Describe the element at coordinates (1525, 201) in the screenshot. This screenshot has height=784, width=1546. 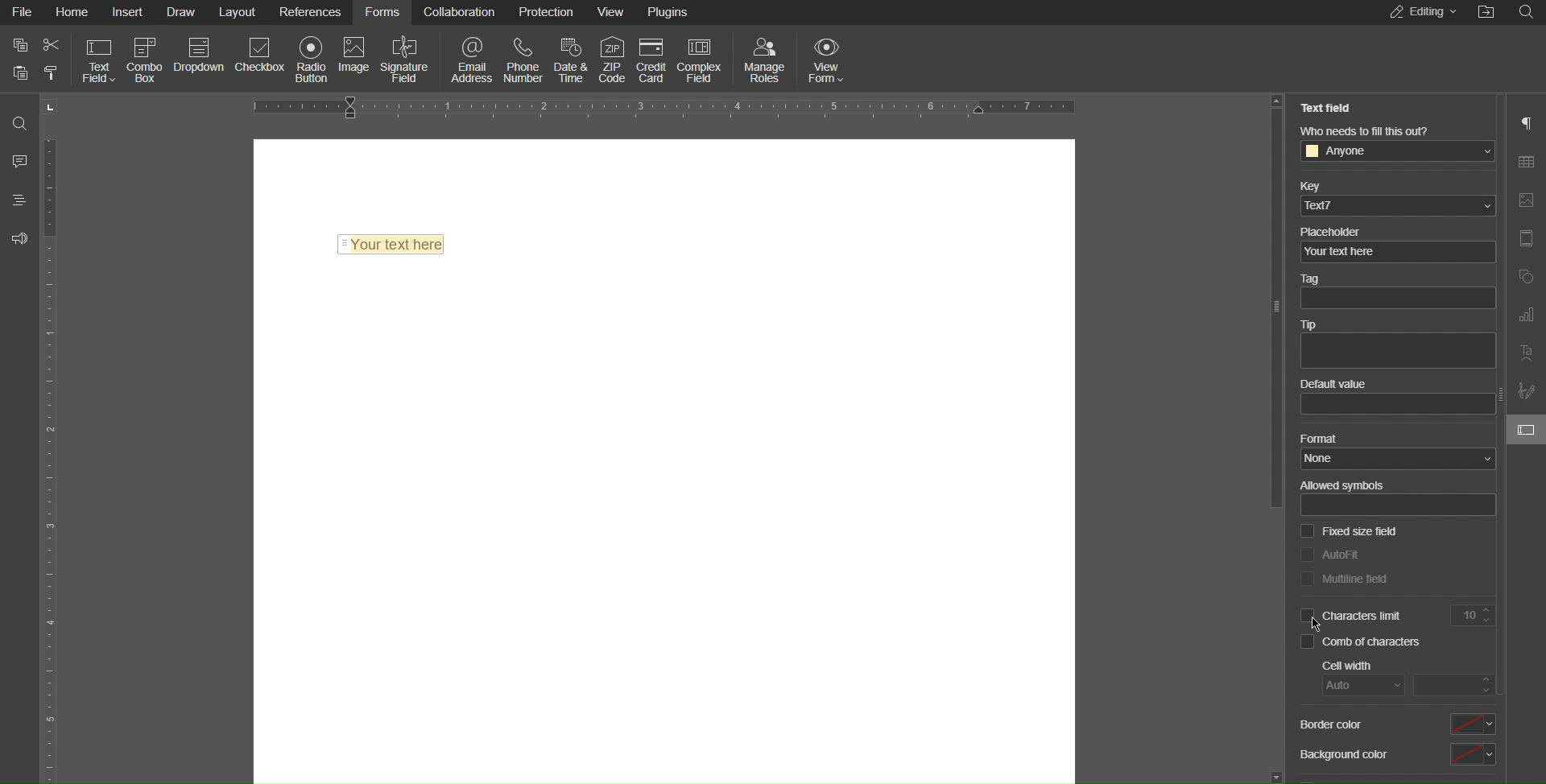
I see `Image Settings` at that location.